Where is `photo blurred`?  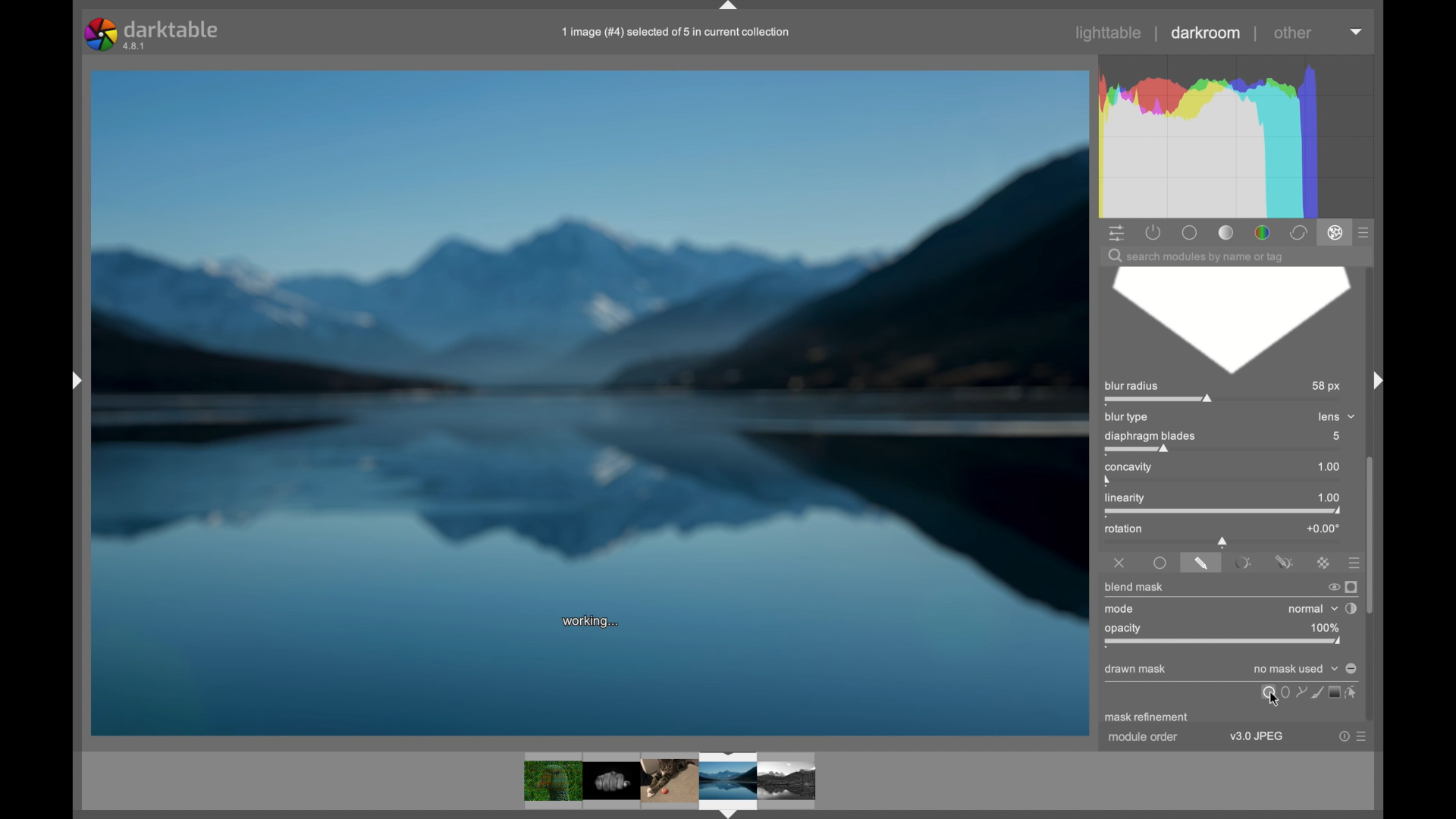
photo blurred is located at coordinates (588, 687).